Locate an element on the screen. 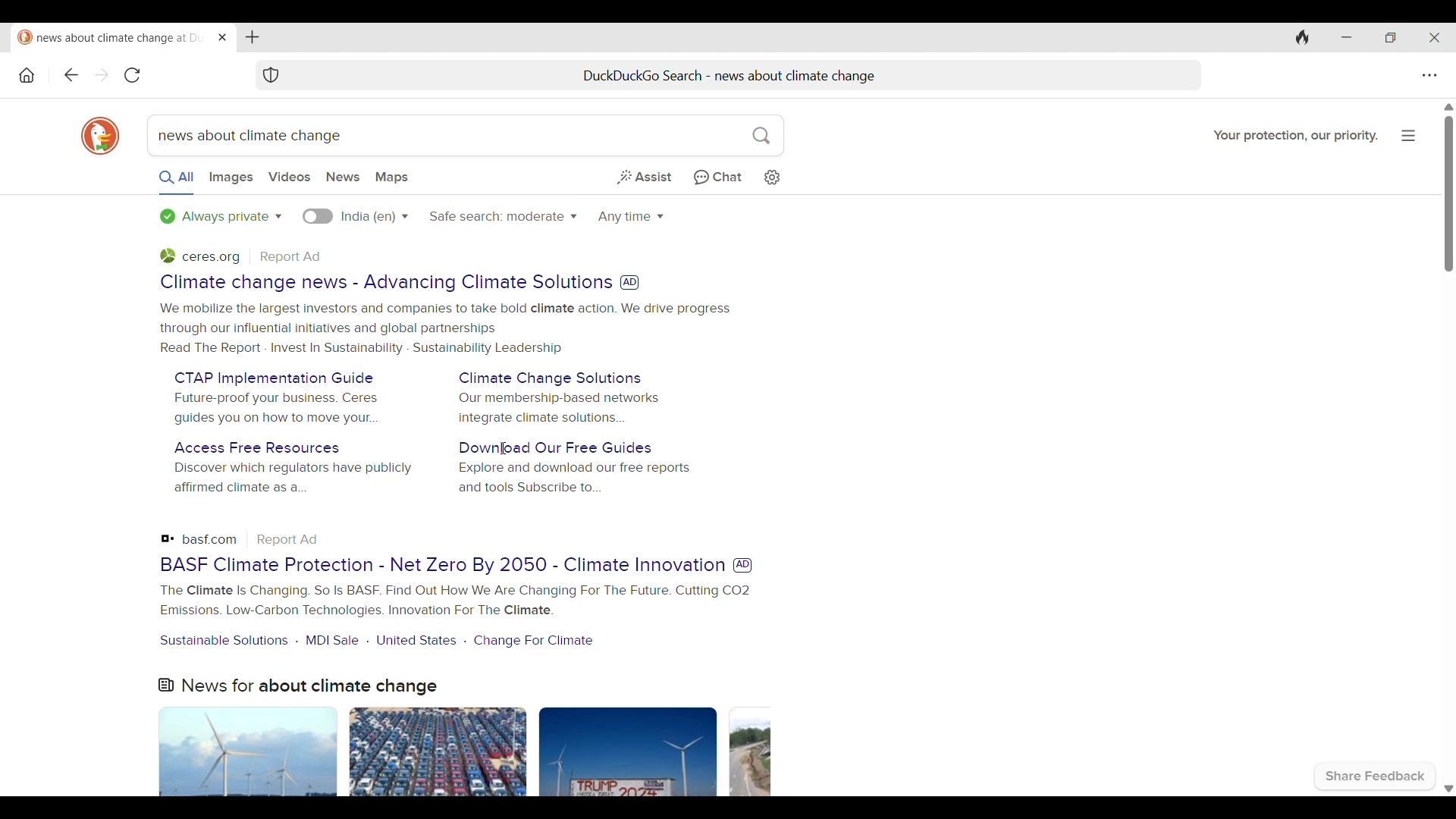  ad is located at coordinates (629, 283).